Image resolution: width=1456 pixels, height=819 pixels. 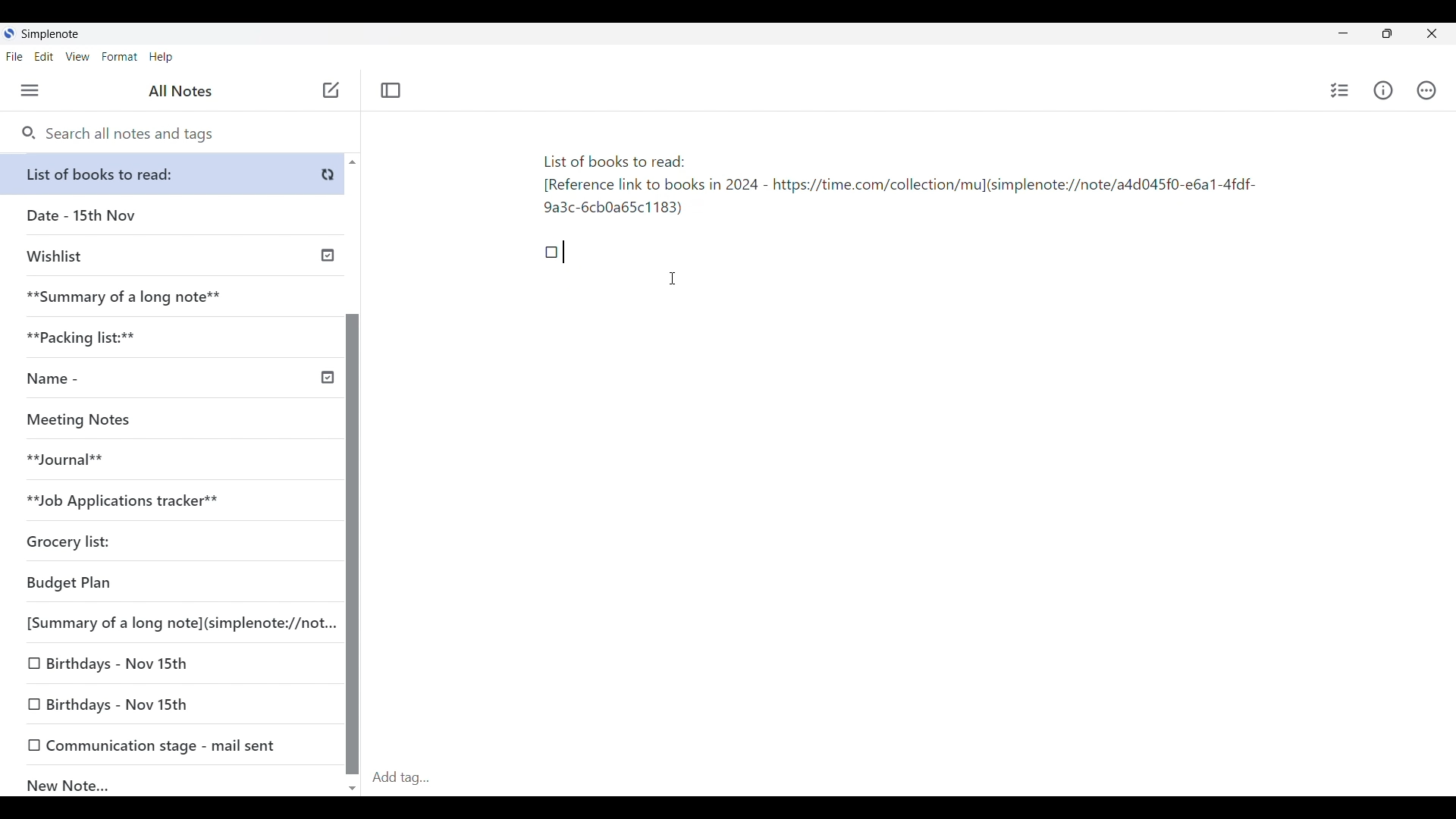 What do you see at coordinates (168, 460) in the screenshot?
I see `**Journal**` at bounding box center [168, 460].